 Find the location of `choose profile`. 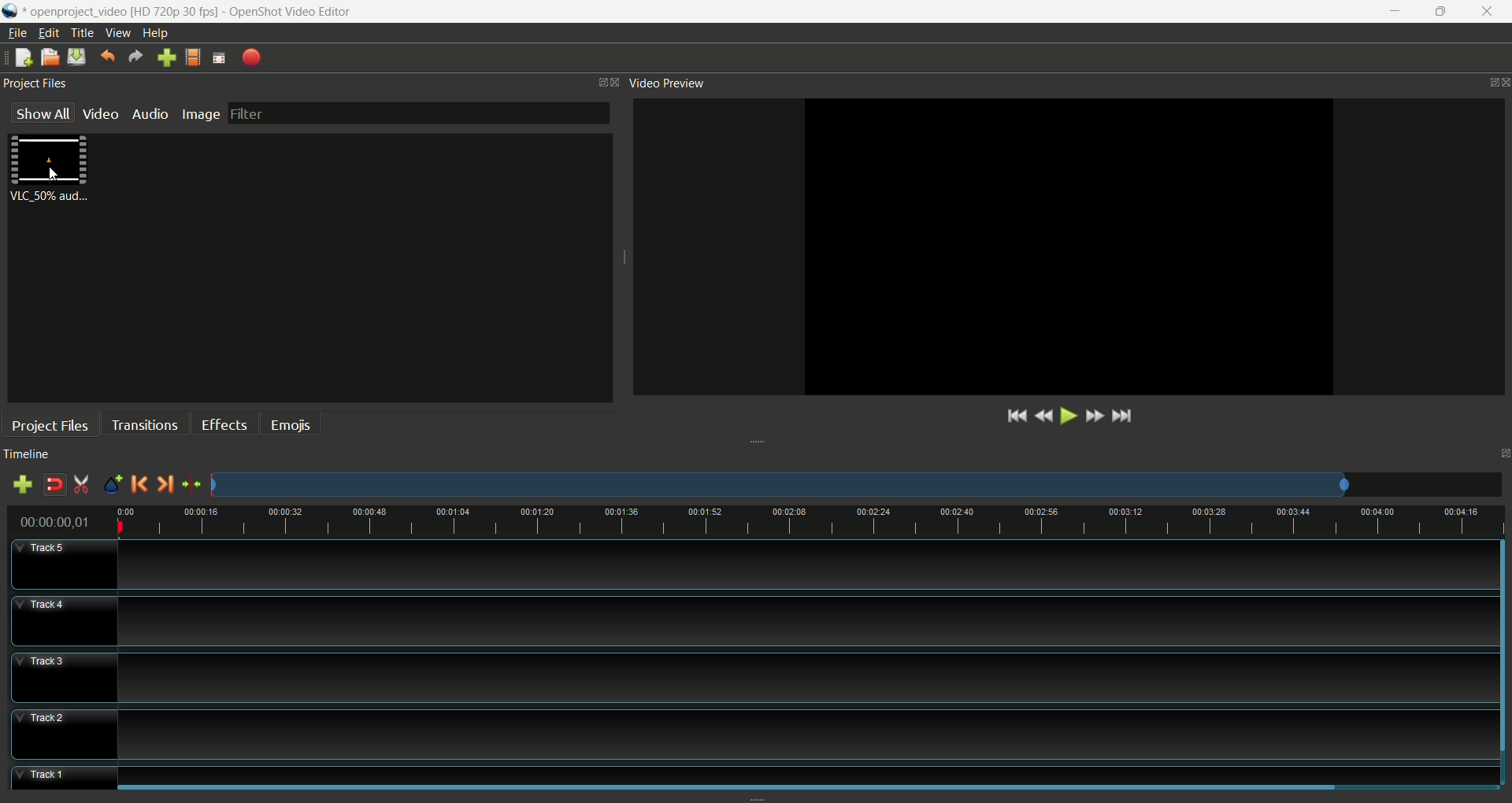

choose profile is located at coordinates (192, 57).